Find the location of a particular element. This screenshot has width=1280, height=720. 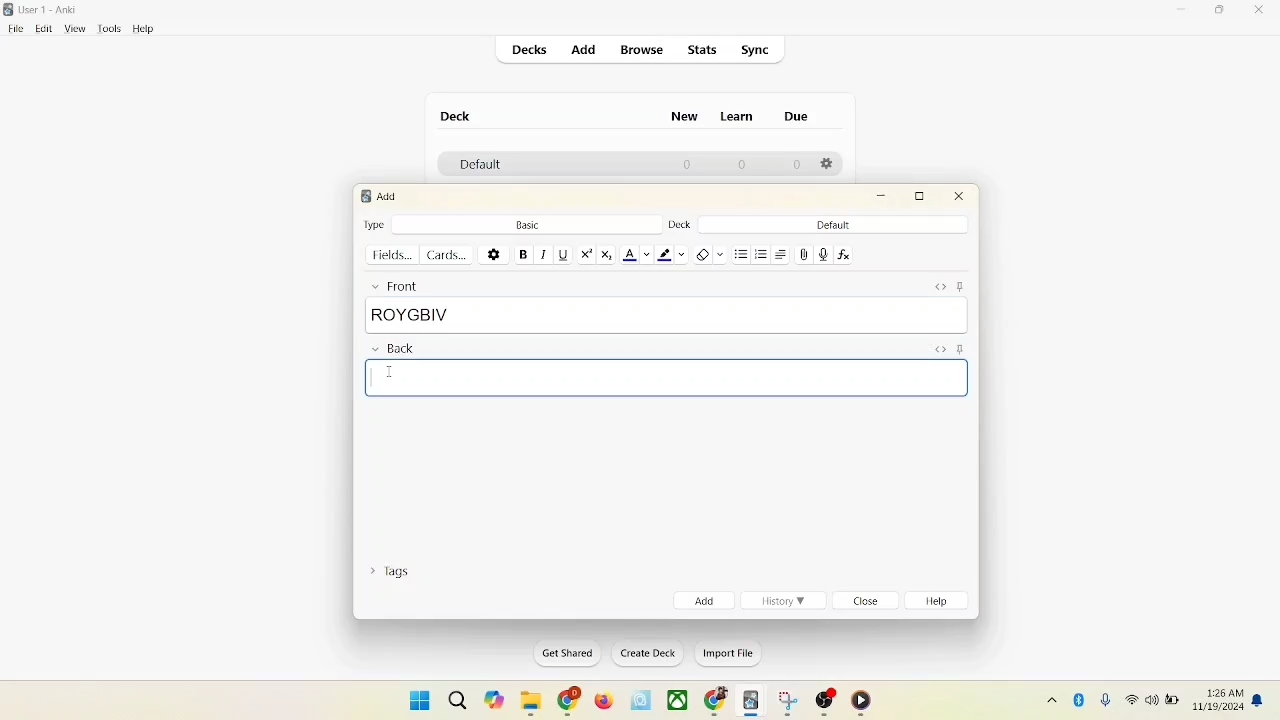

sticky is located at coordinates (959, 350).